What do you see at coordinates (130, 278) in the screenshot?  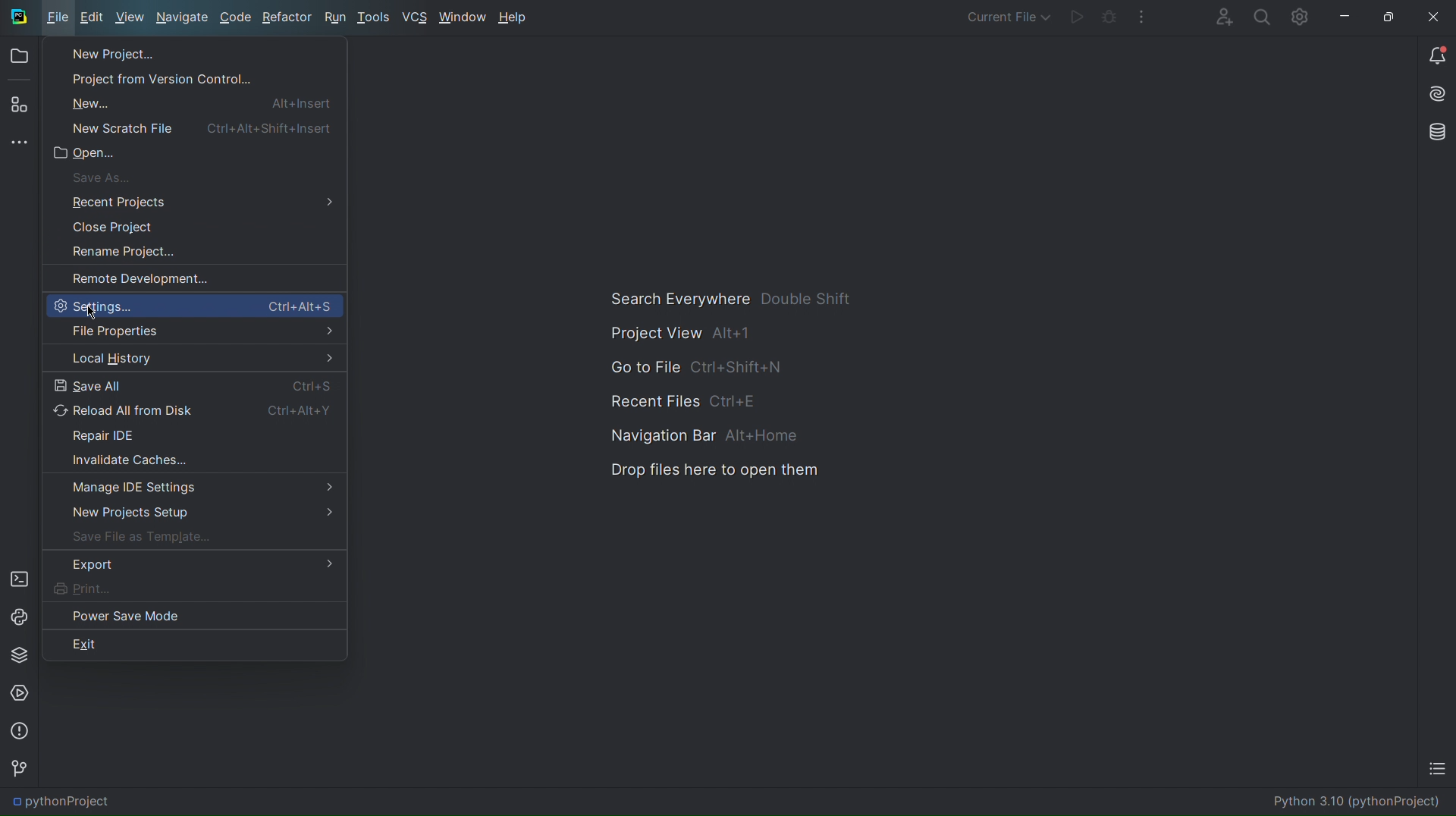 I see `Remote Development` at bounding box center [130, 278].